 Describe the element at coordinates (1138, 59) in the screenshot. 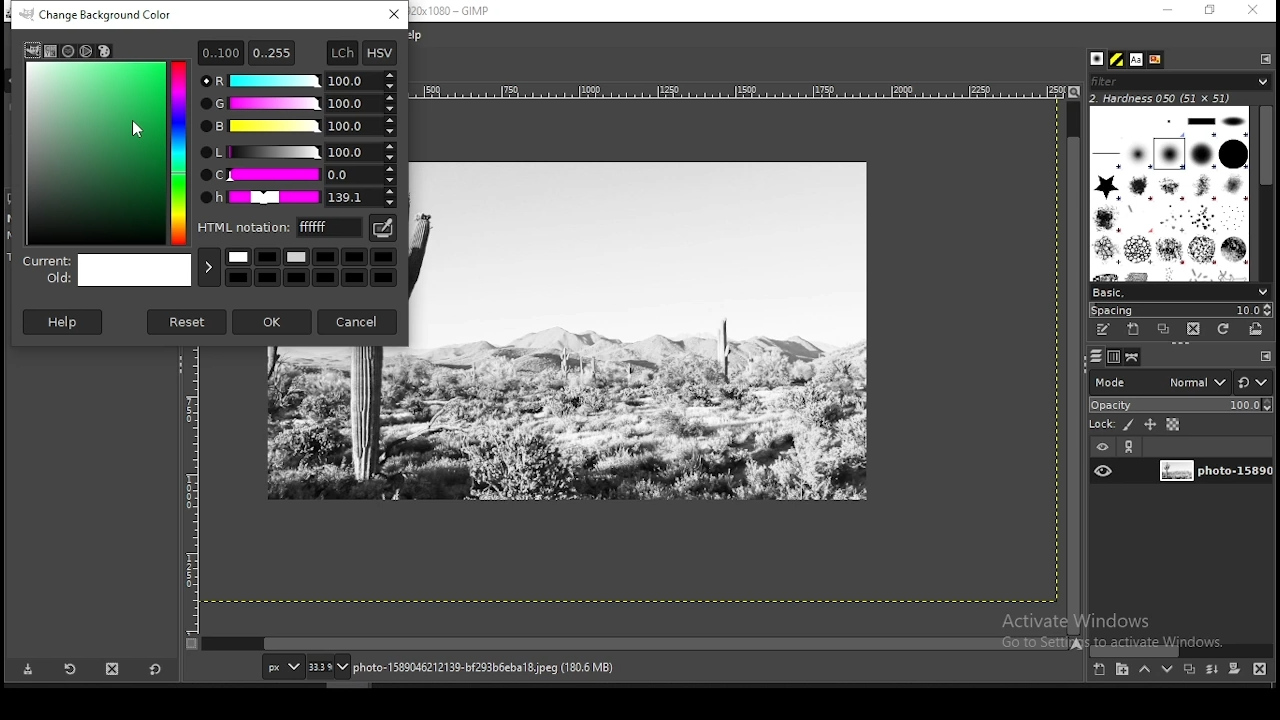

I see `fonts` at that location.